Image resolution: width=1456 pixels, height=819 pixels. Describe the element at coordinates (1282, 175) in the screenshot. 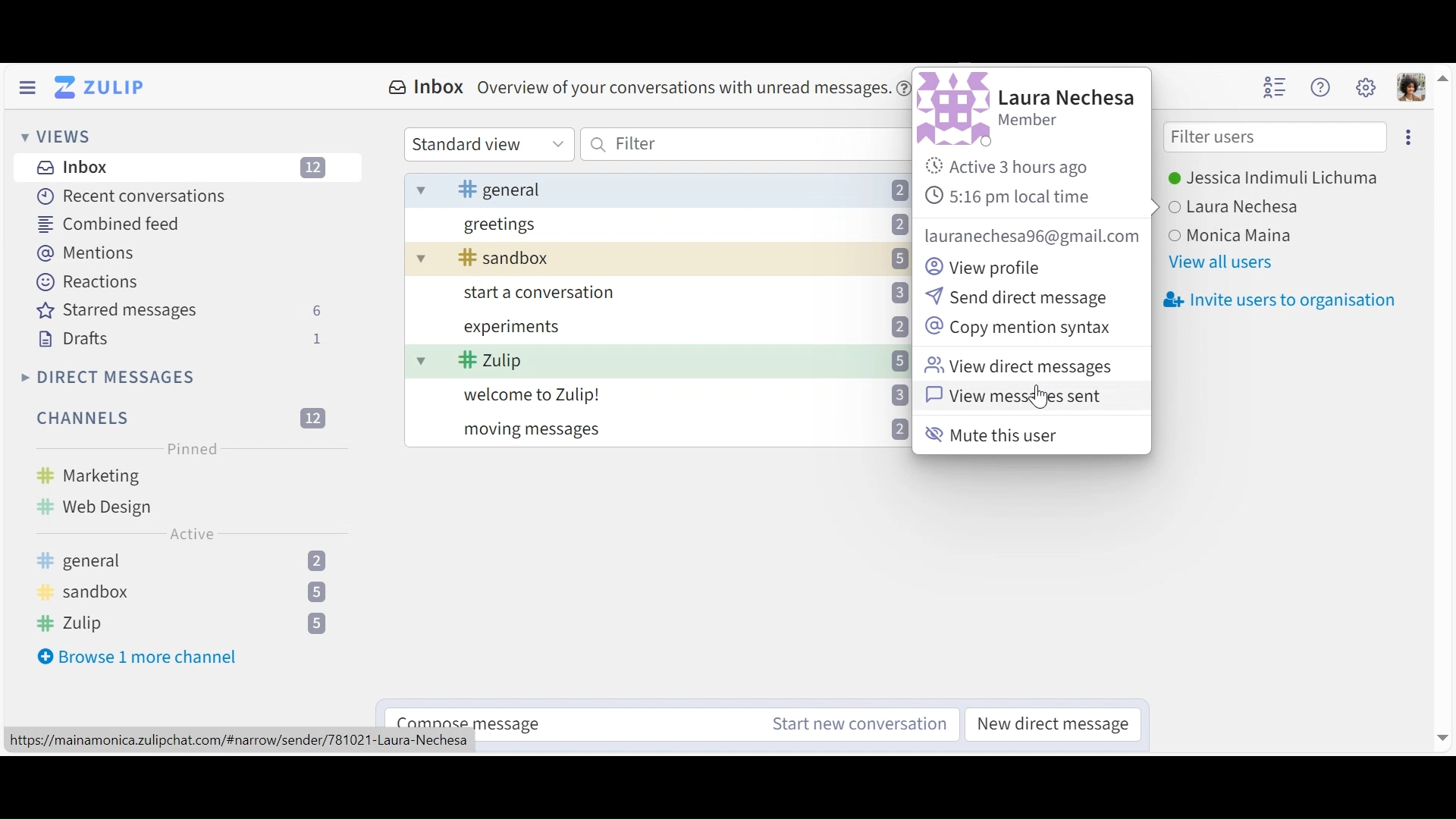

I see `Users` at that location.